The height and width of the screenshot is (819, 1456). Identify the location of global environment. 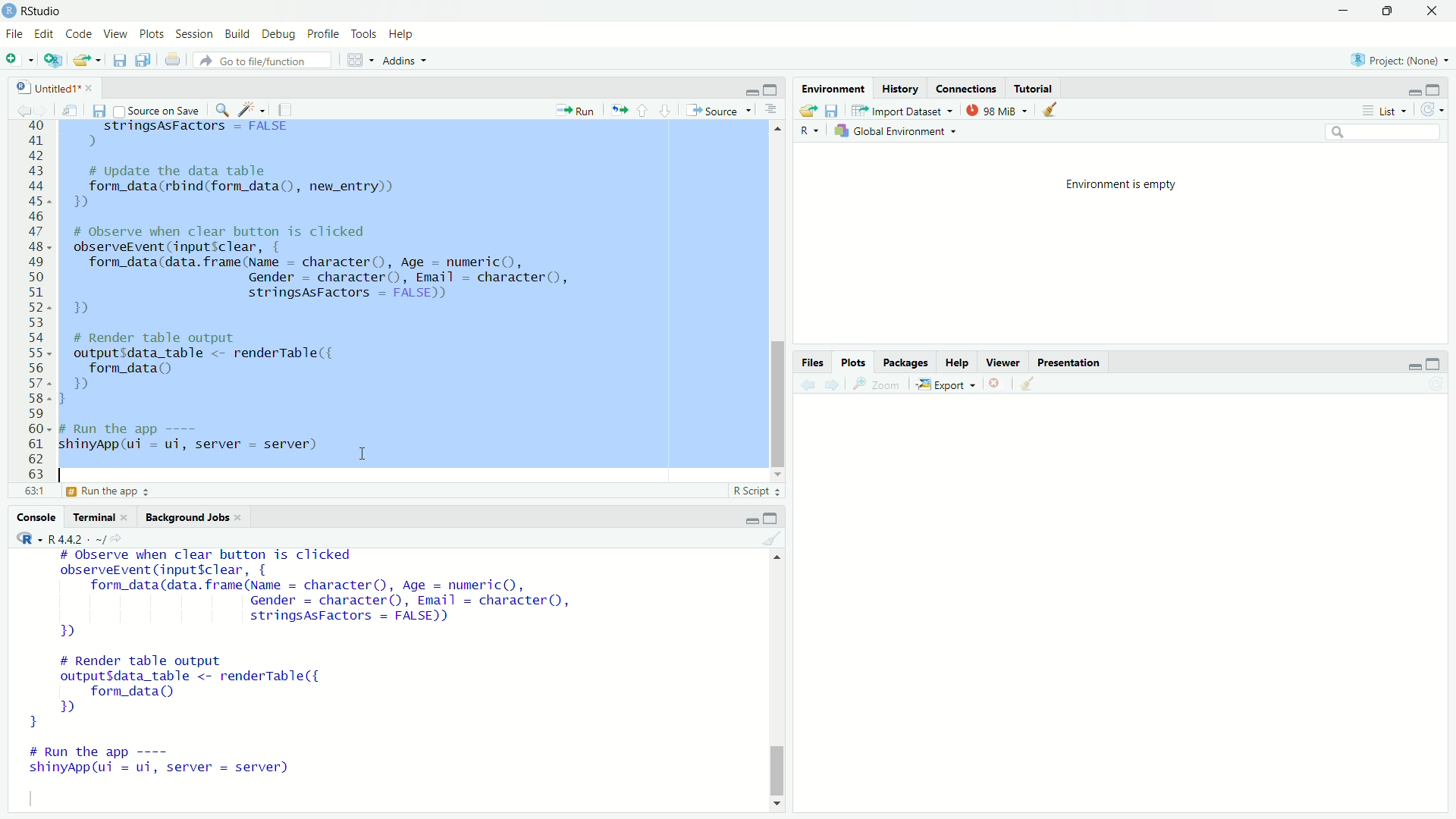
(899, 132).